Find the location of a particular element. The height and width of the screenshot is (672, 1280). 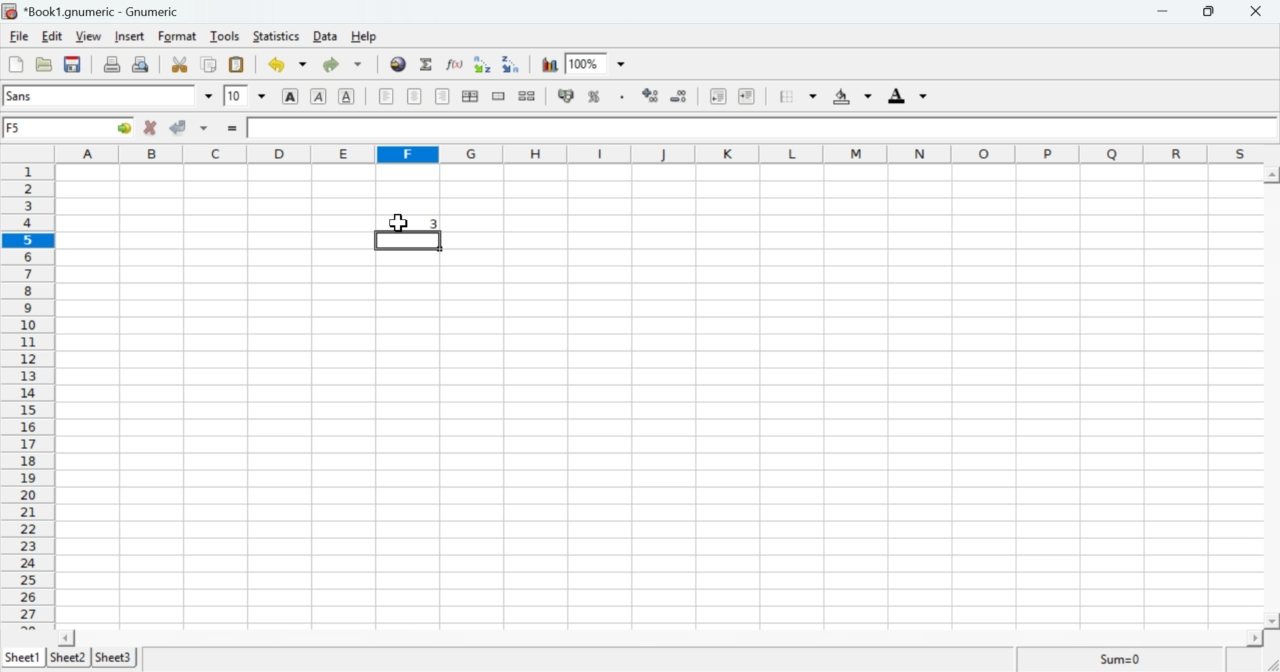

Chart is located at coordinates (547, 64).